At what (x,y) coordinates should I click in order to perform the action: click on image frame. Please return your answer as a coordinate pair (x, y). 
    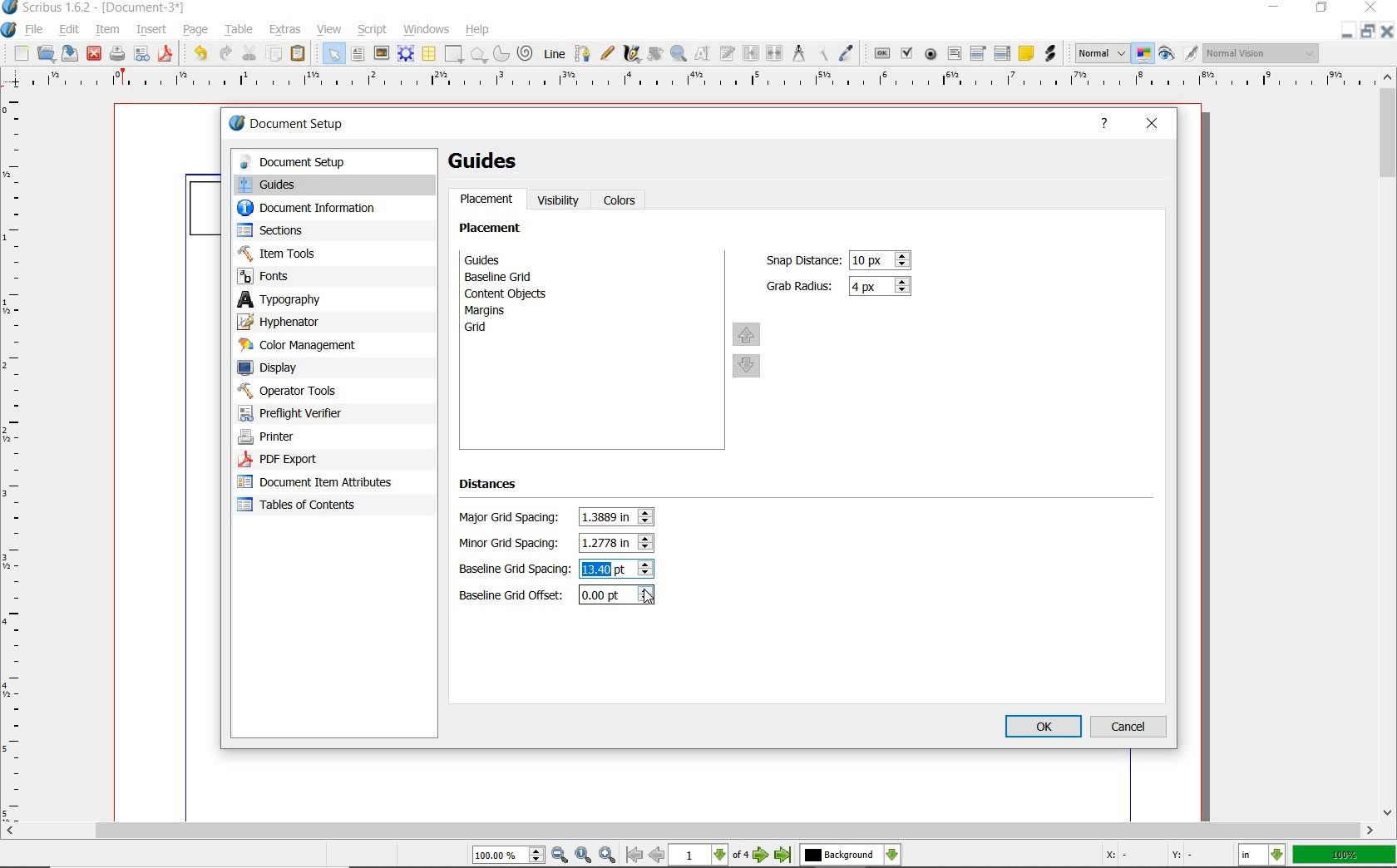
    Looking at the image, I should click on (382, 54).